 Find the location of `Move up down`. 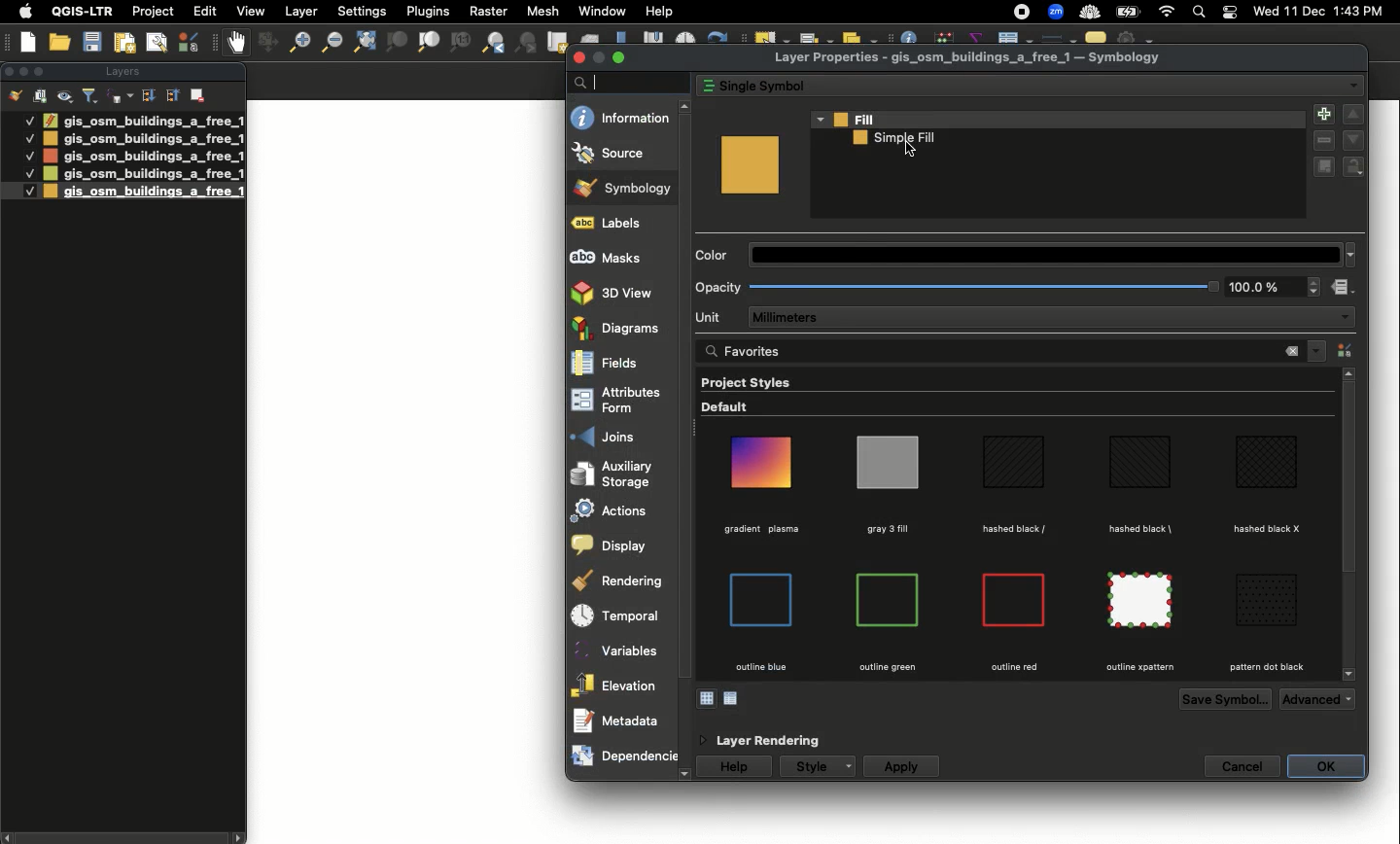

Move up down is located at coordinates (1354, 126).